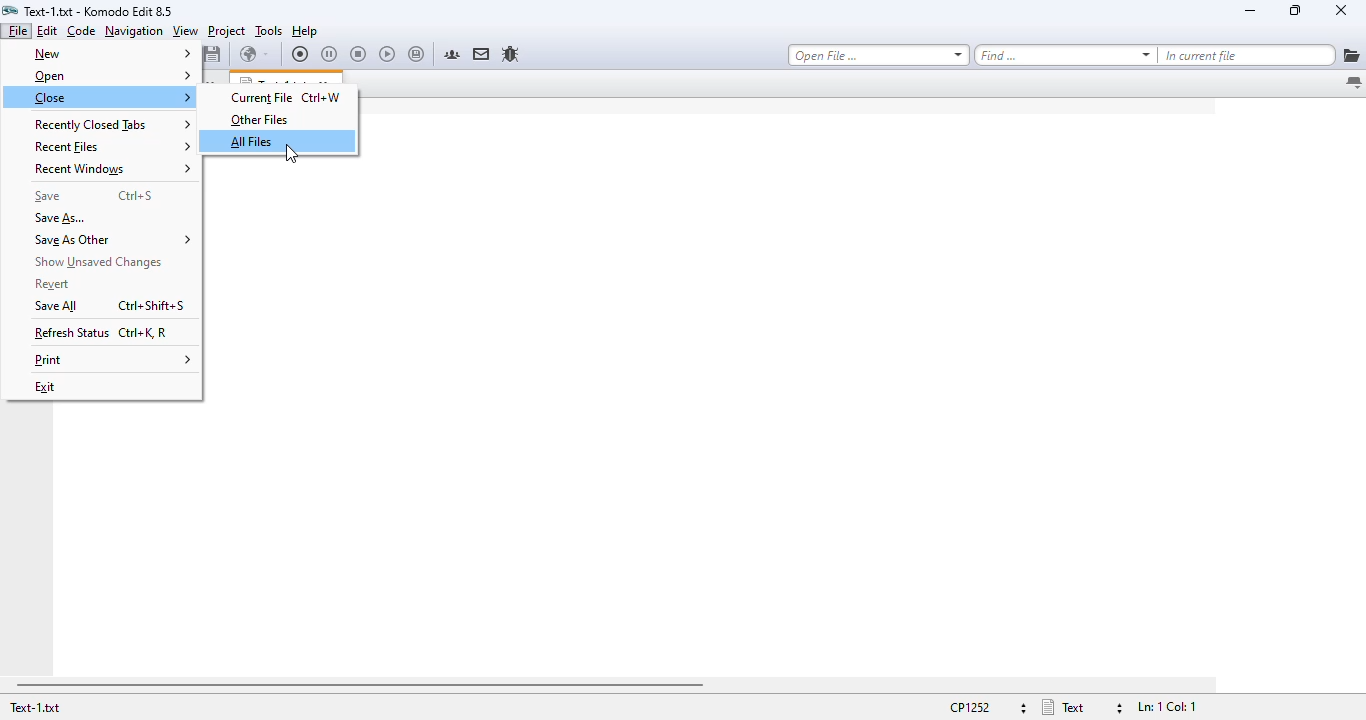  Describe the element at coordinates (34, 707) in the screenshot. I see `text-1` at that location.